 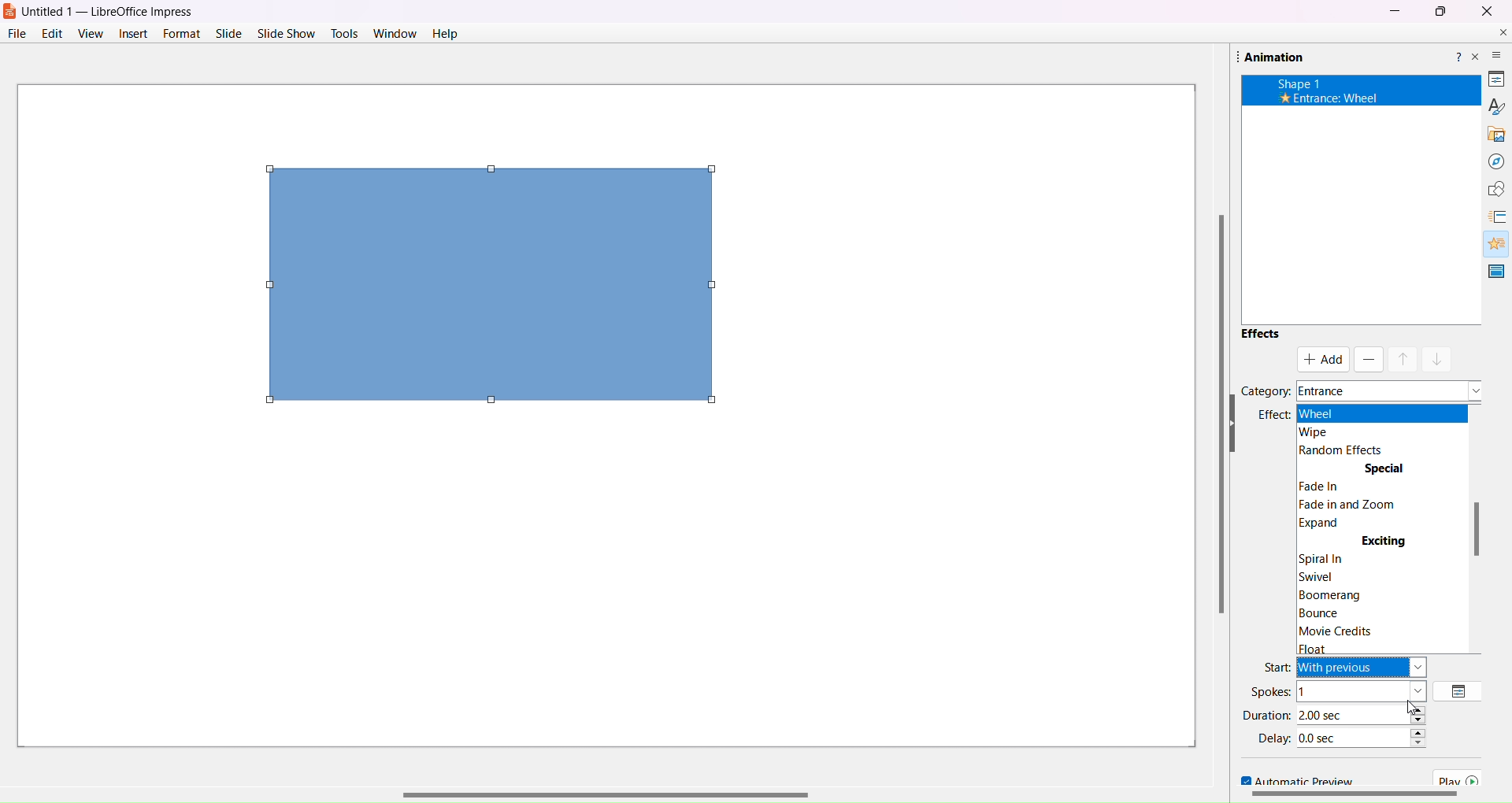 What do you see at coordinates (1410, 707) in the screenshot?
I see `Cursor` at bounding box center [1410, 707].